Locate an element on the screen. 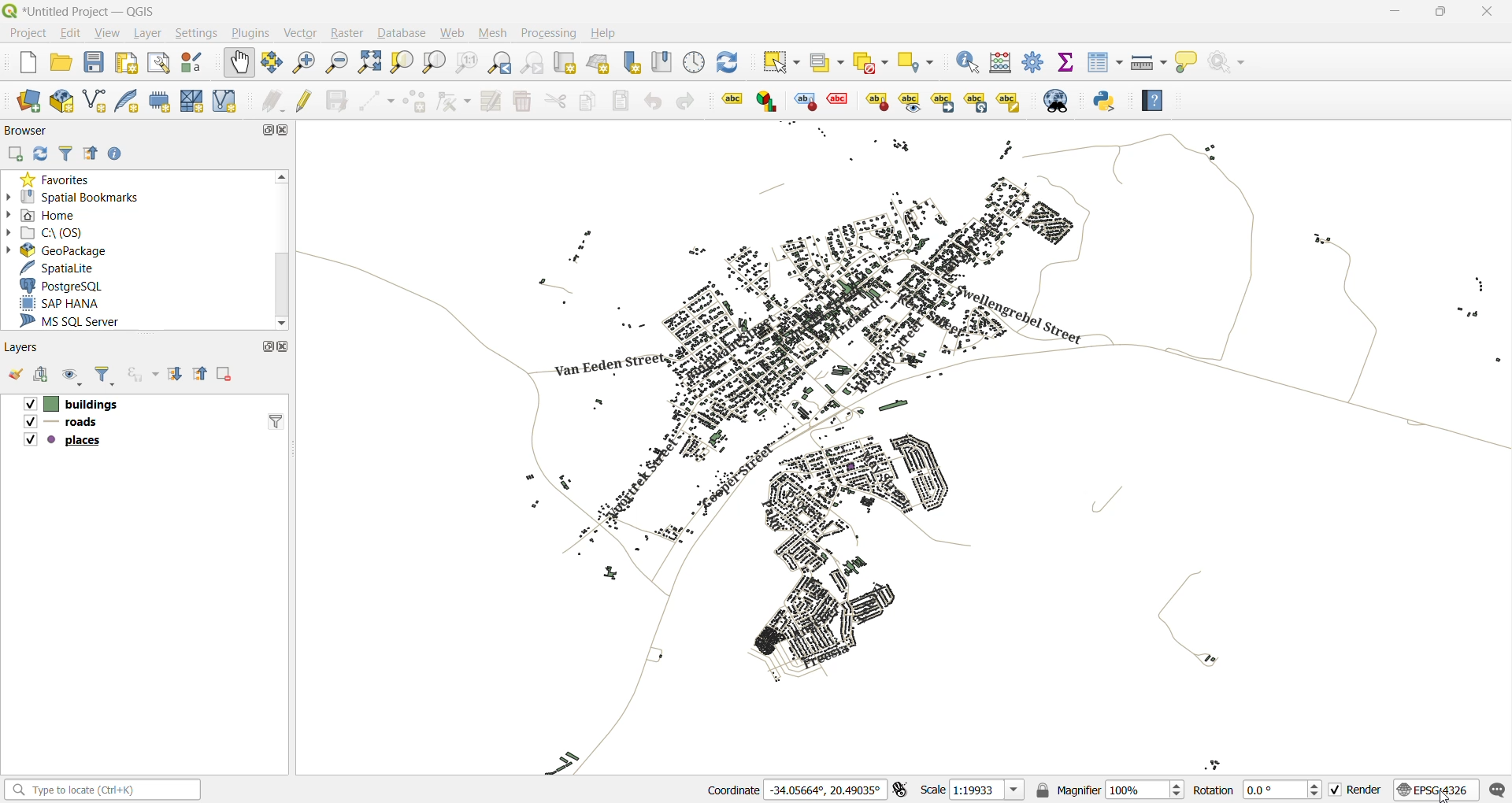 The image size is (1512, 803). select is located at coordinates (783, 61).